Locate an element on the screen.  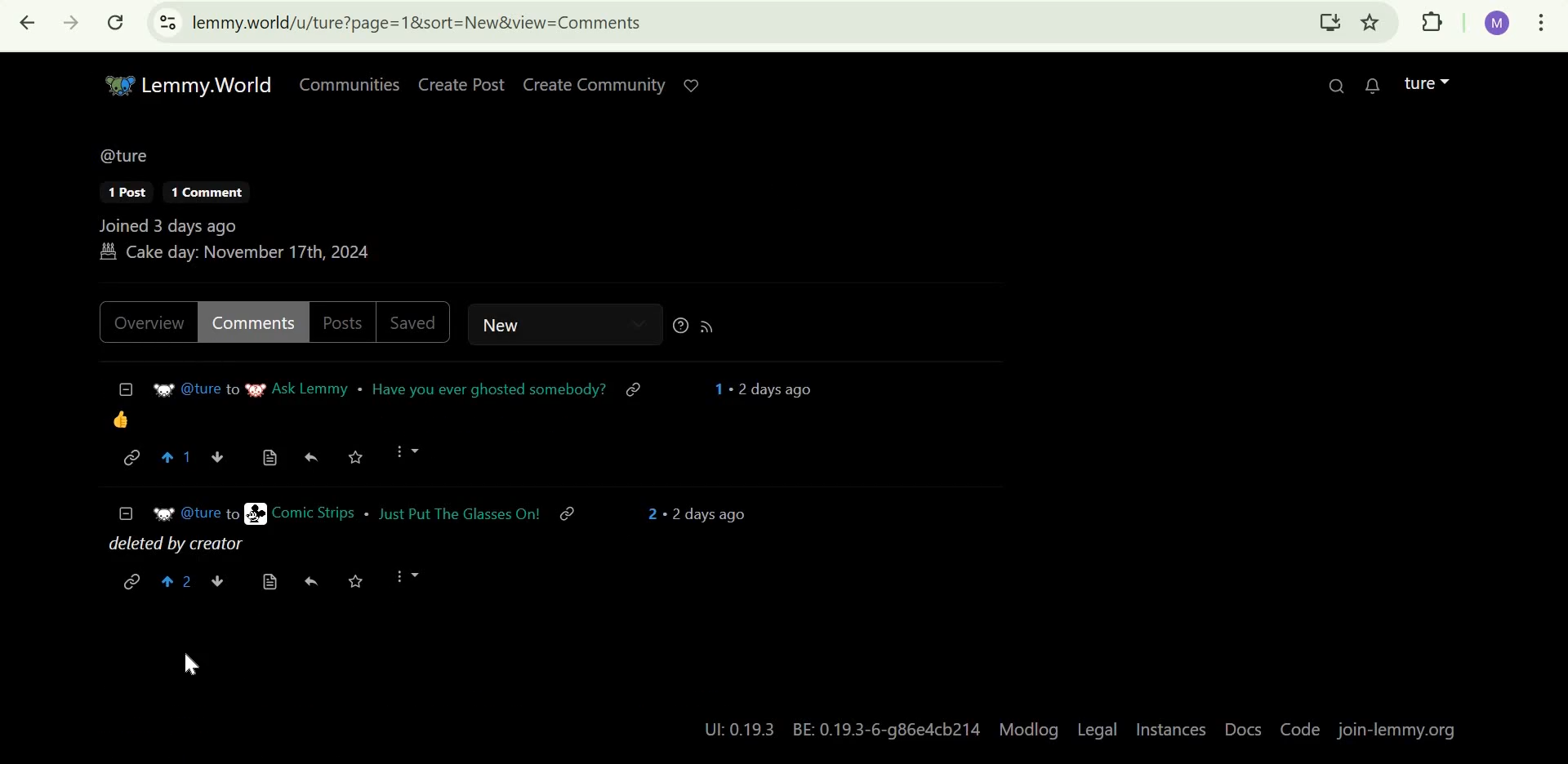
downvote is located at coordinates (224, 455).